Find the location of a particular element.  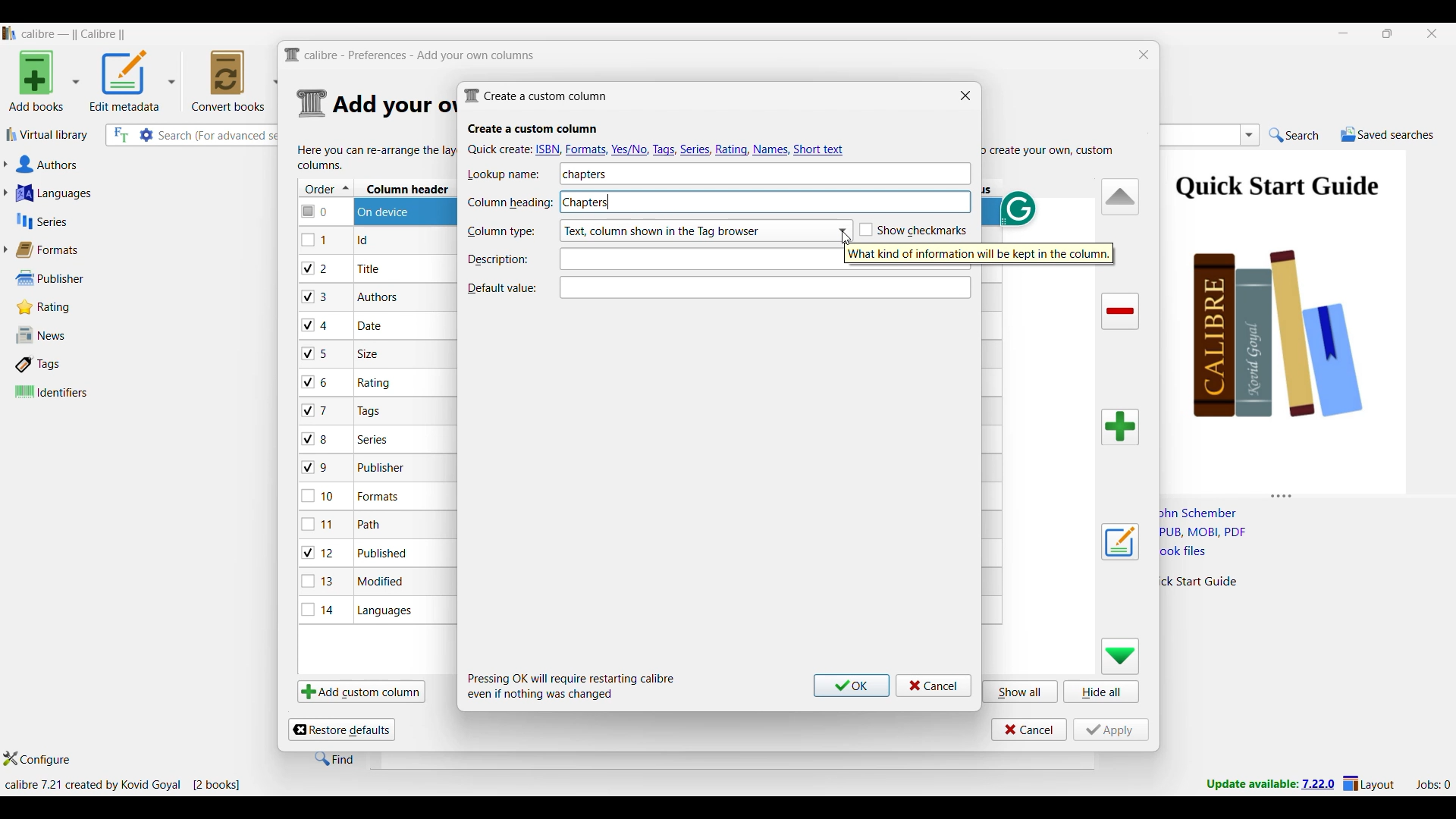

checkbox - 6 is located at coordinates (318, 383).